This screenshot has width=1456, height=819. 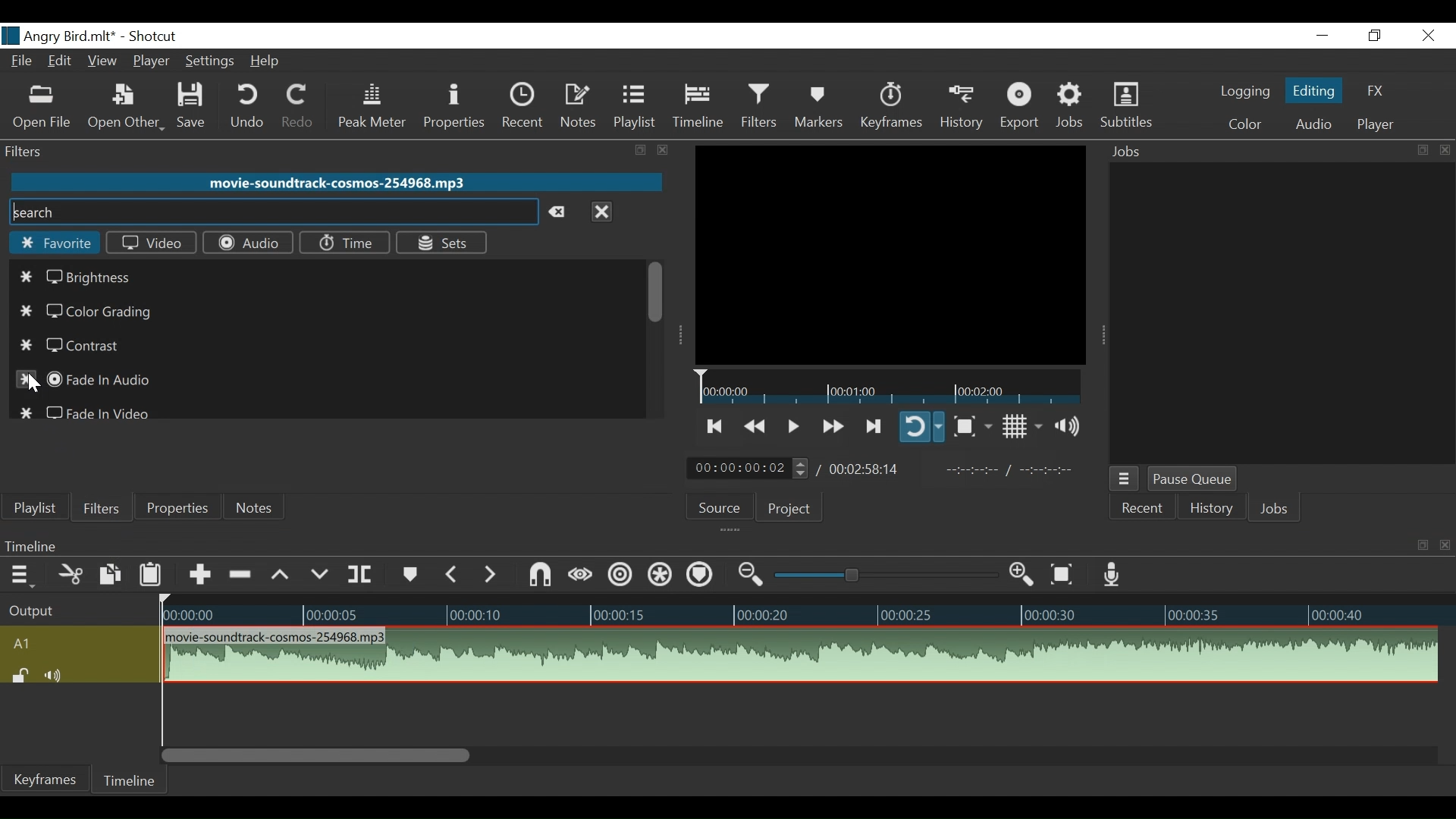 I want to click on Time, so click(x=347, y=243).